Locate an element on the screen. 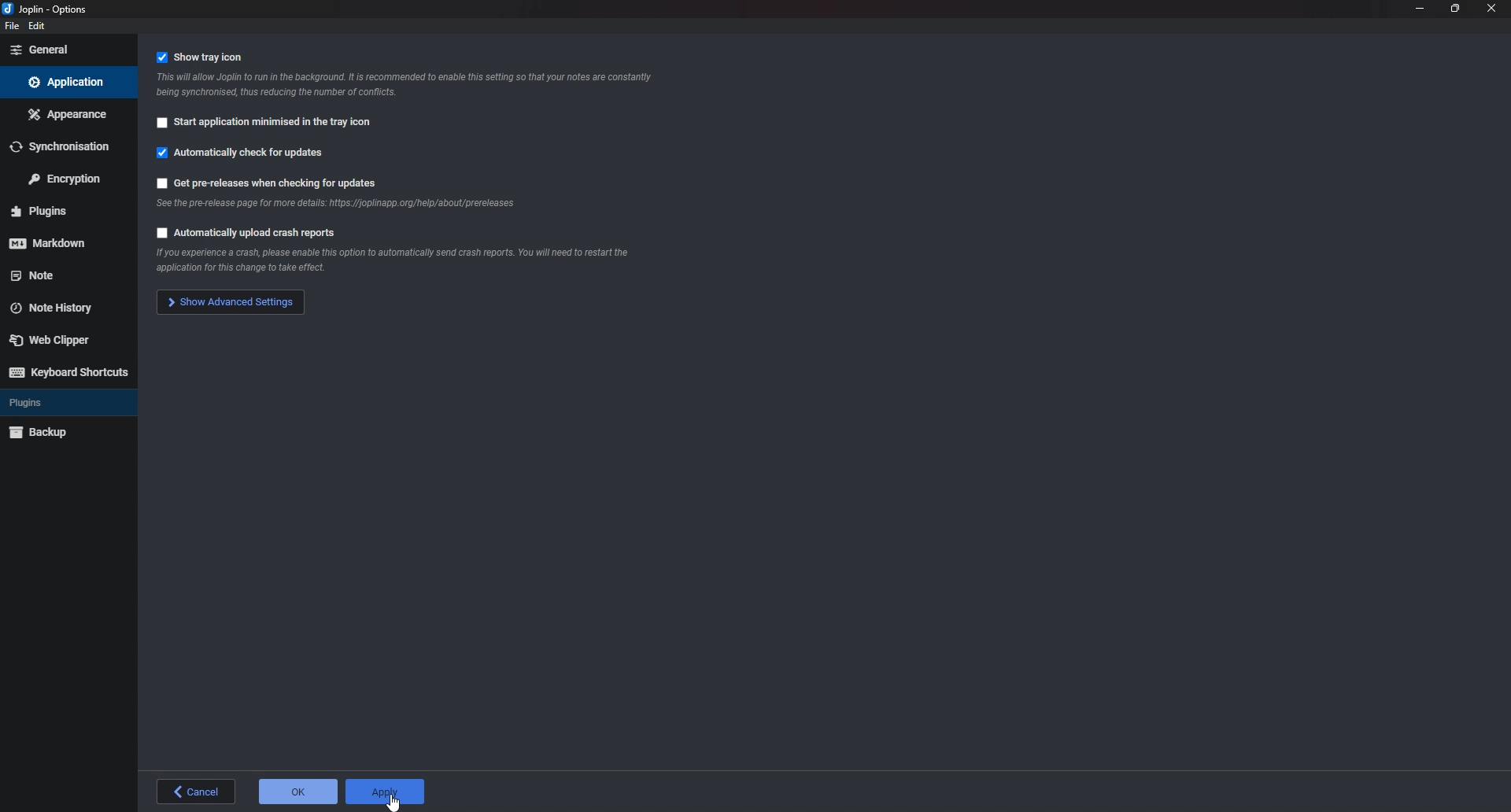  resize is located at coordinates (1456, 9).